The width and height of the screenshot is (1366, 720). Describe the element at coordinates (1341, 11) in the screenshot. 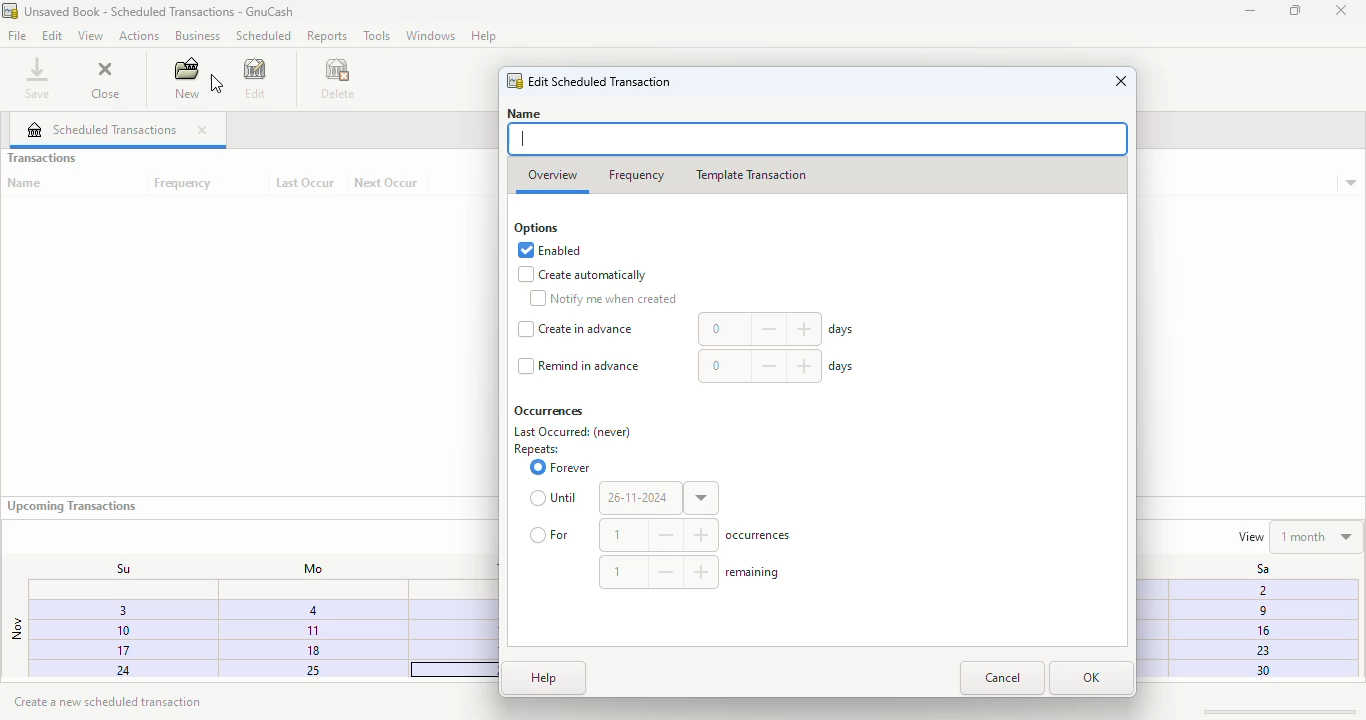

I see `close` at that location.